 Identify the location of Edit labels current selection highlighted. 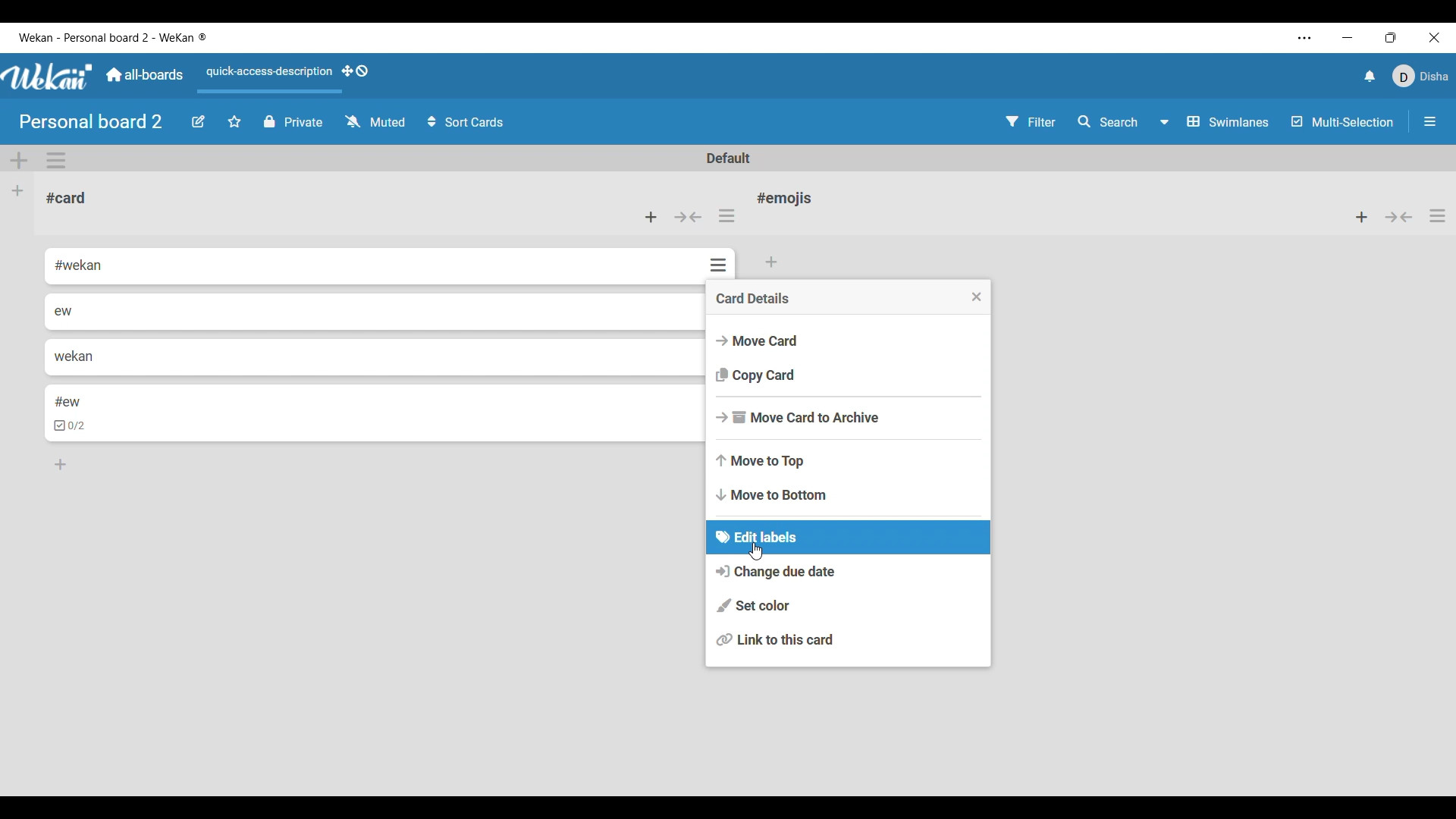
(847, 538).